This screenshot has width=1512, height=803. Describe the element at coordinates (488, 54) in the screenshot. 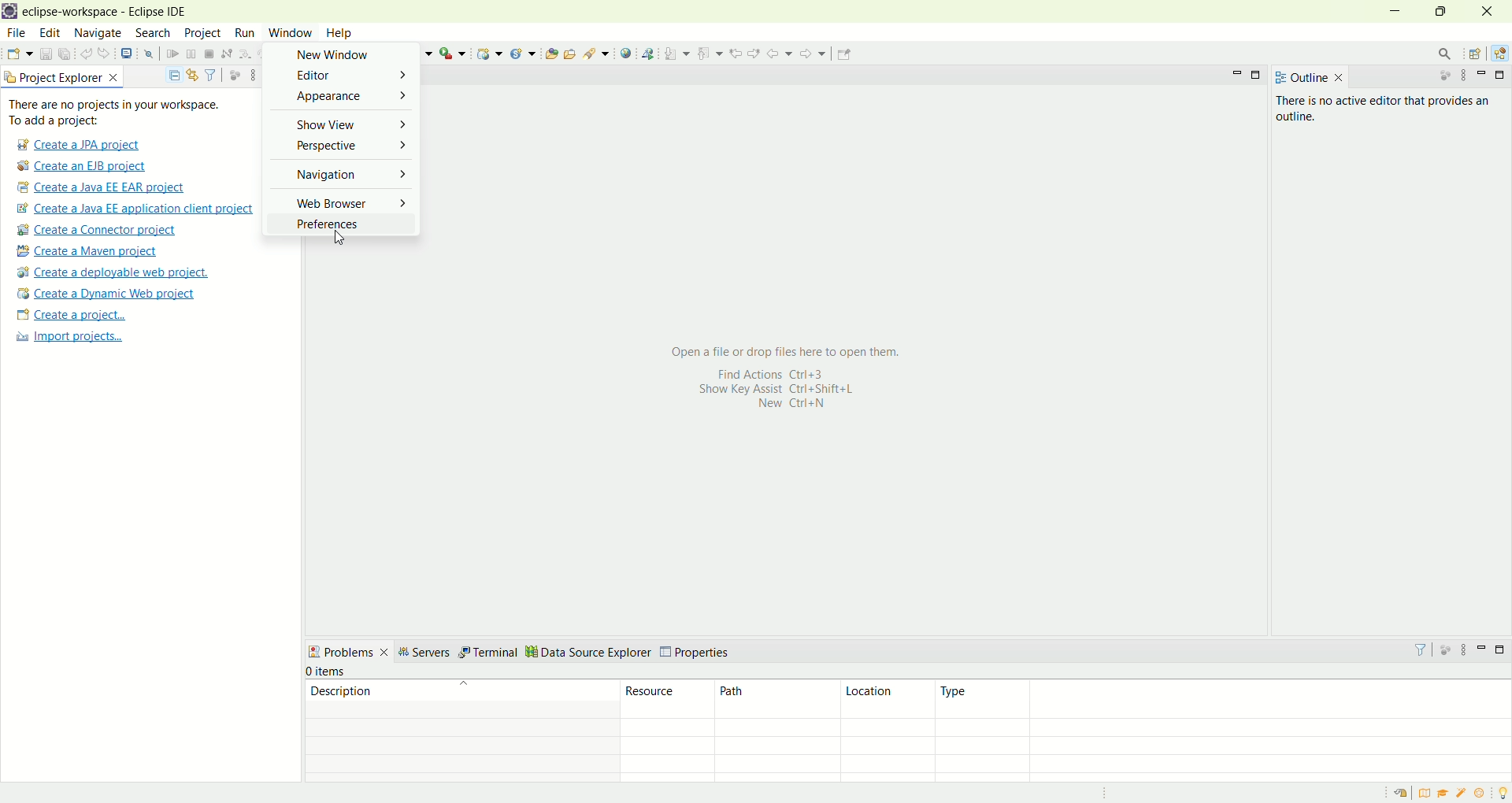

I see `create a dynamic web project` at that location.